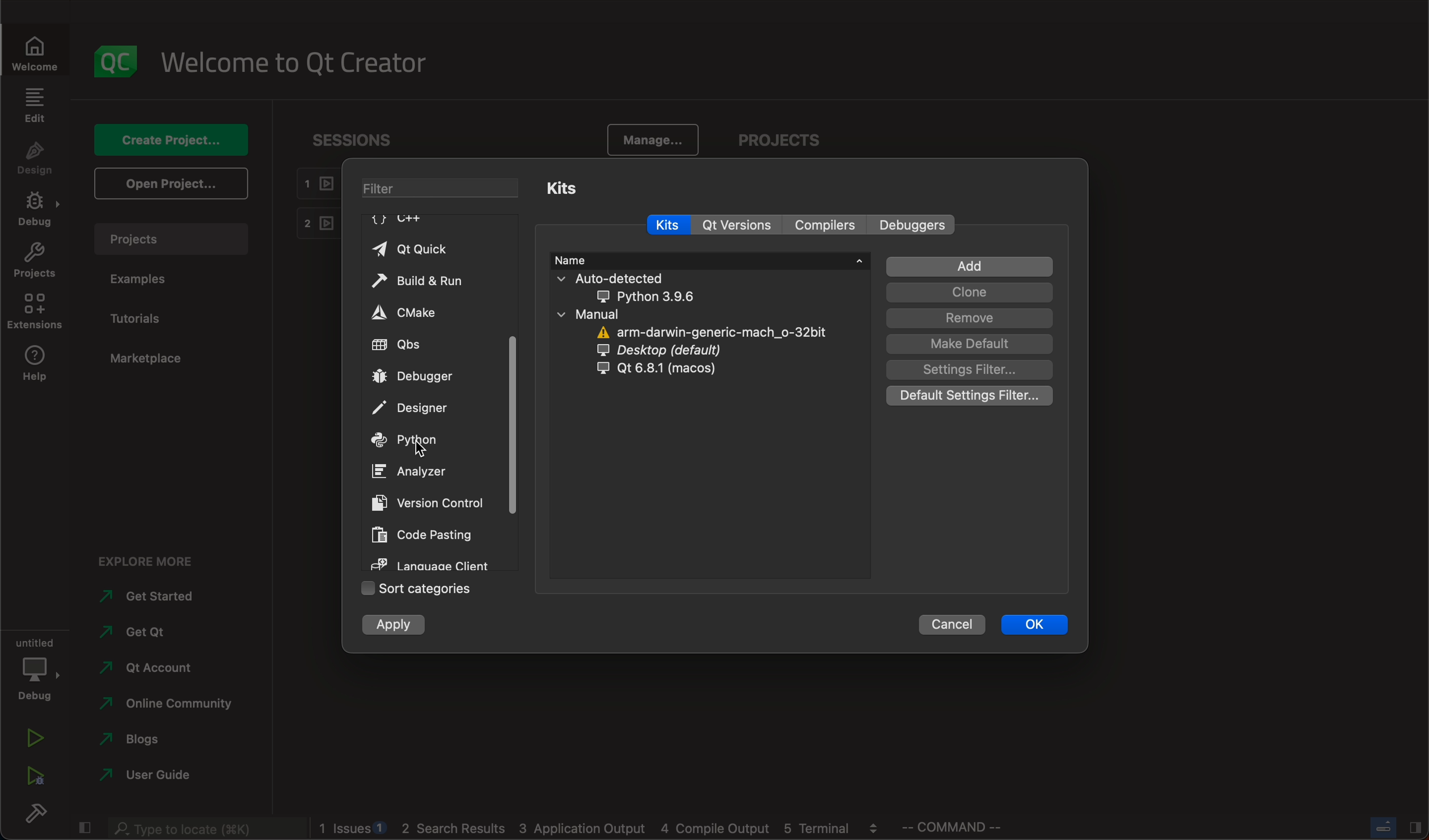 This screenshot has height=840, width=1429. Describe the element at coordinates (653, 139) in the screenshot. I see `manage` at that location.